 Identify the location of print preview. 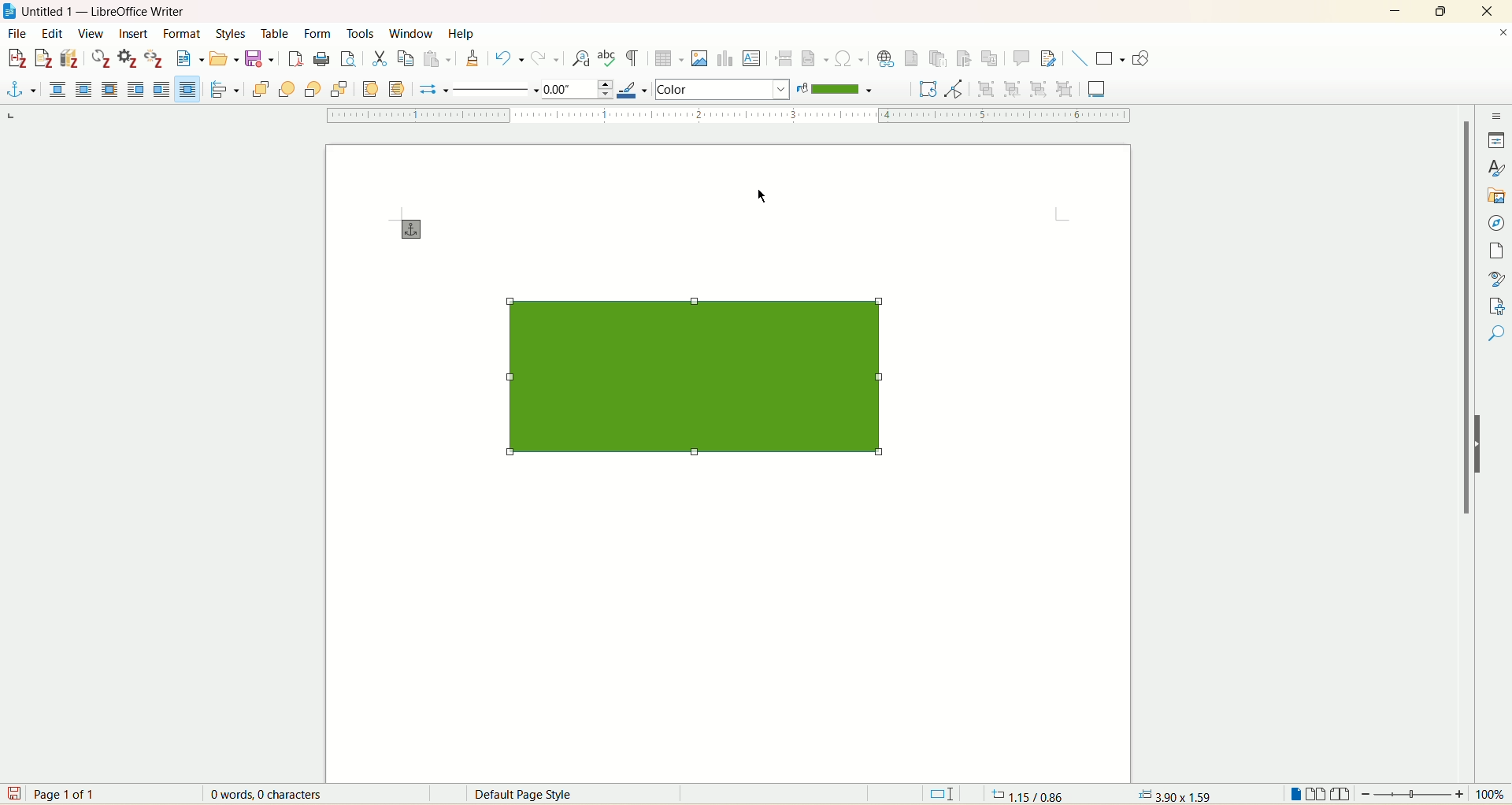
(347, 61).